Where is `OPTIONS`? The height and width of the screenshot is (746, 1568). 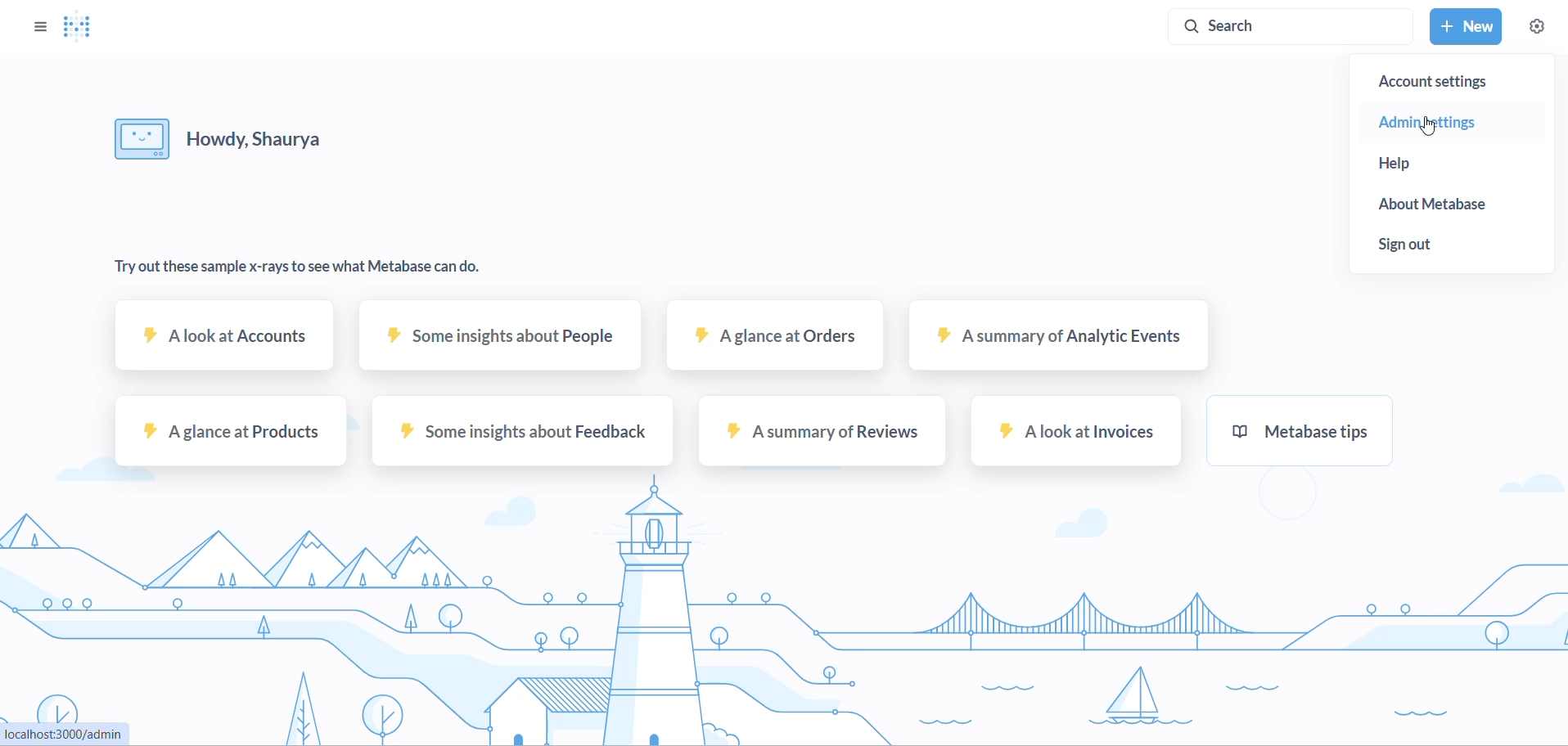 OPTIONS is located at coordinates (43, 27).